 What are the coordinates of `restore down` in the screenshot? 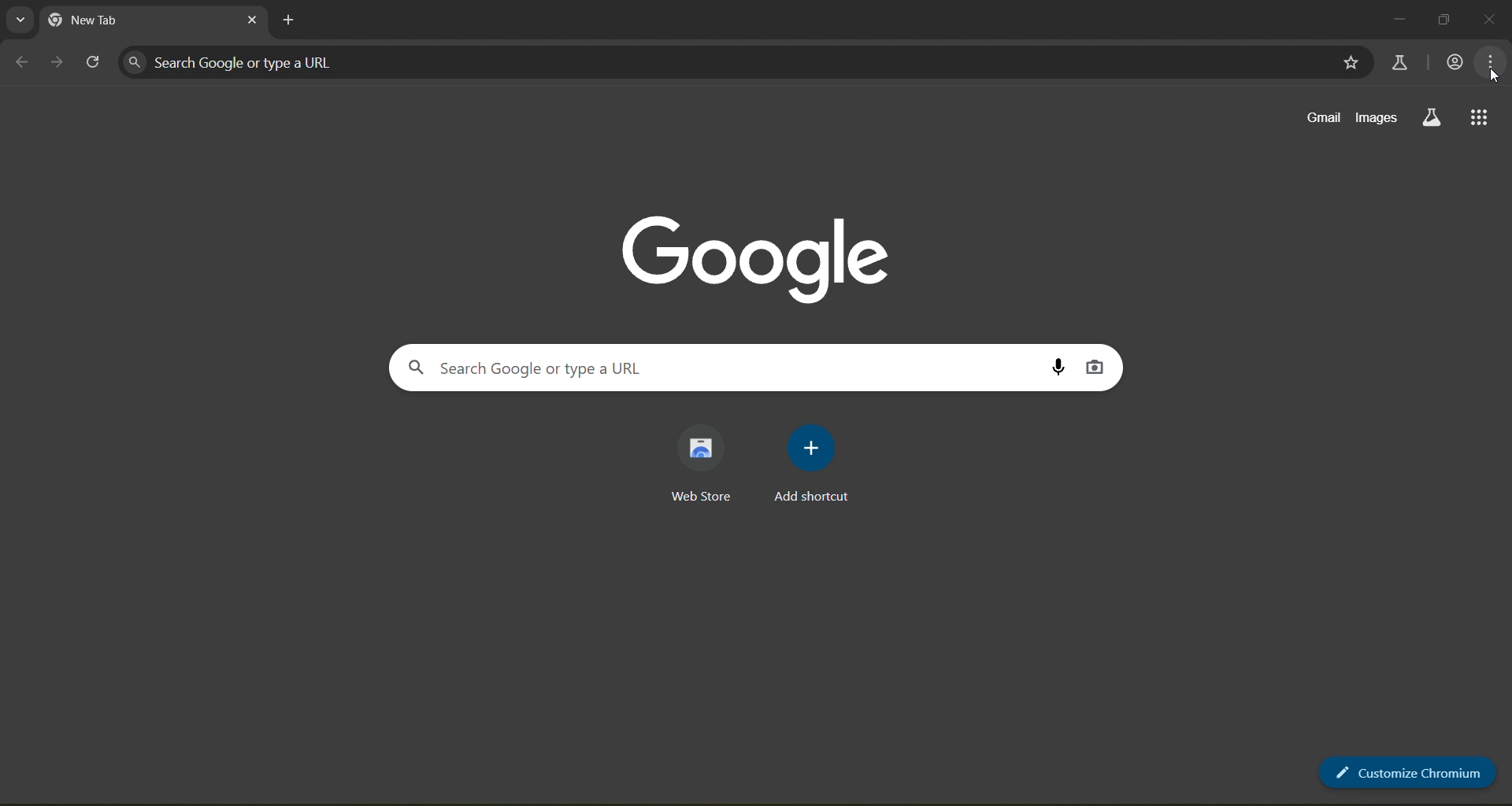 It's located at (1448, 17).